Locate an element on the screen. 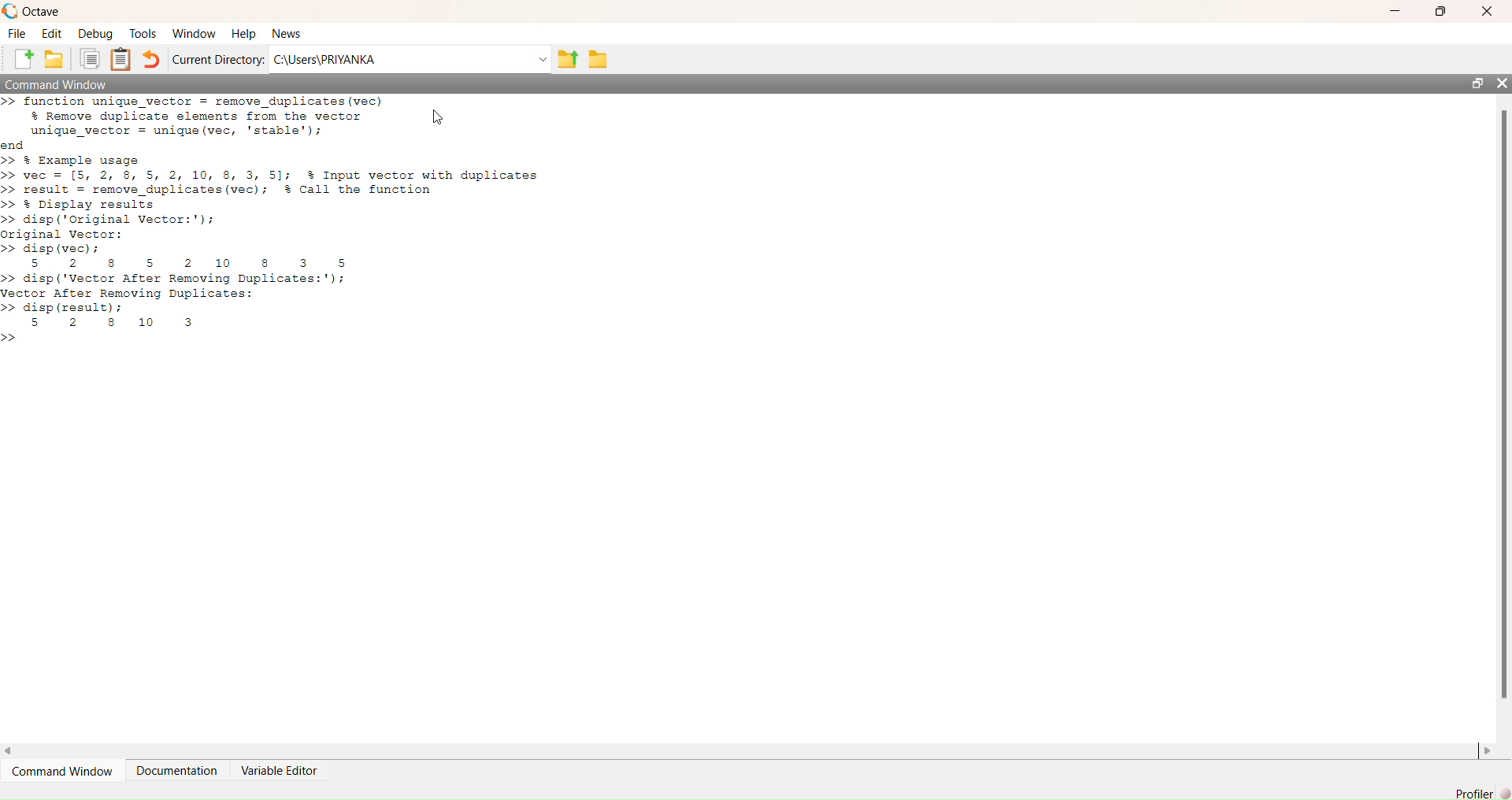 This screenshot has height=800, width=1512. end

>> % Example usage

>> vec = [5, 2, 8 5, 2, 10, 8, 3, 5]; % Input vector with duplicates
>> result = remove_duplicates(vec); #% Call the function

>> % Display results

>> disp (‘Original Vector:'); is located at coordinates (269, 183).